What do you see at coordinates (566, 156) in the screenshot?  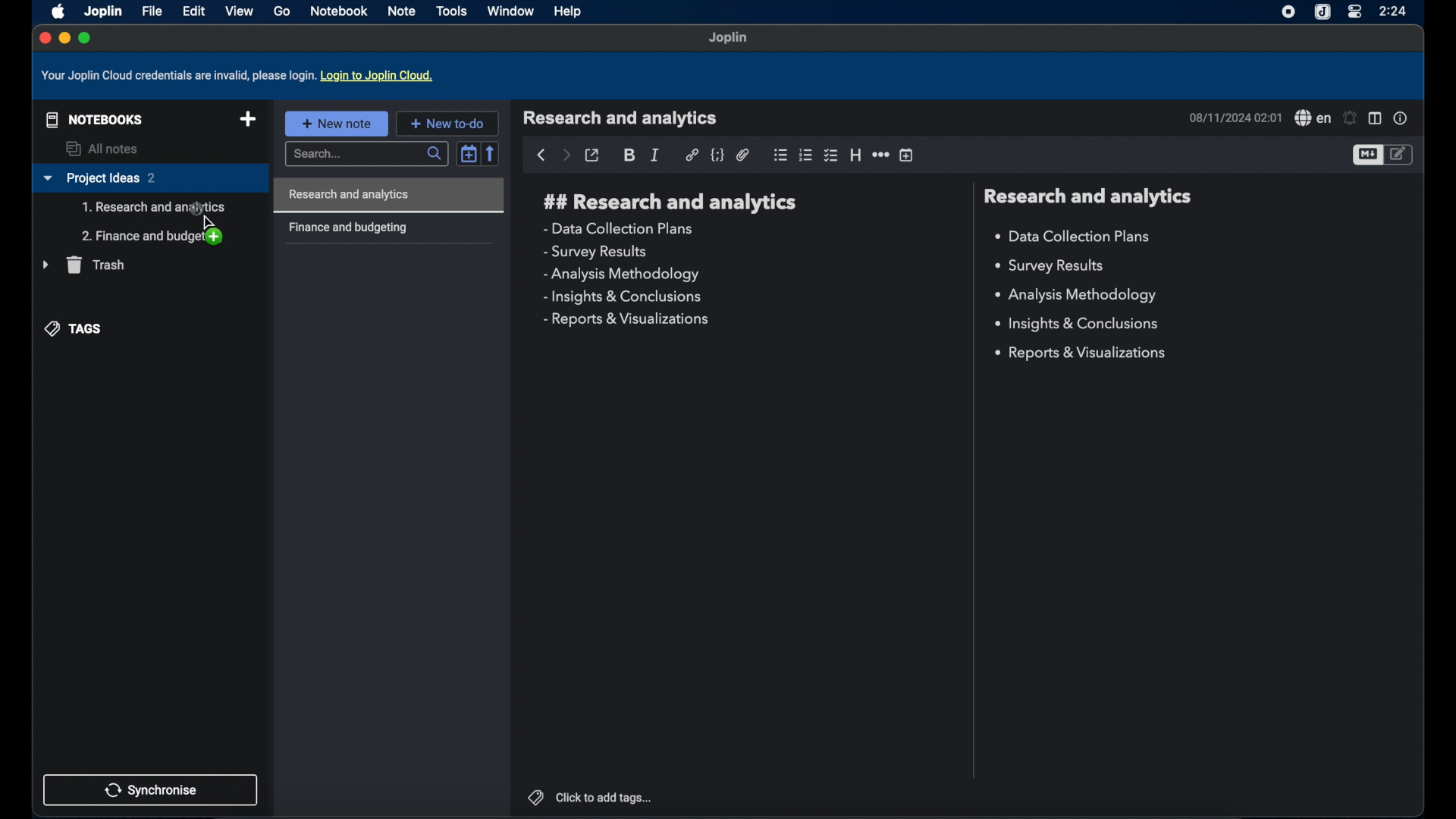 I see `forward` at bounding box center [566, 156].